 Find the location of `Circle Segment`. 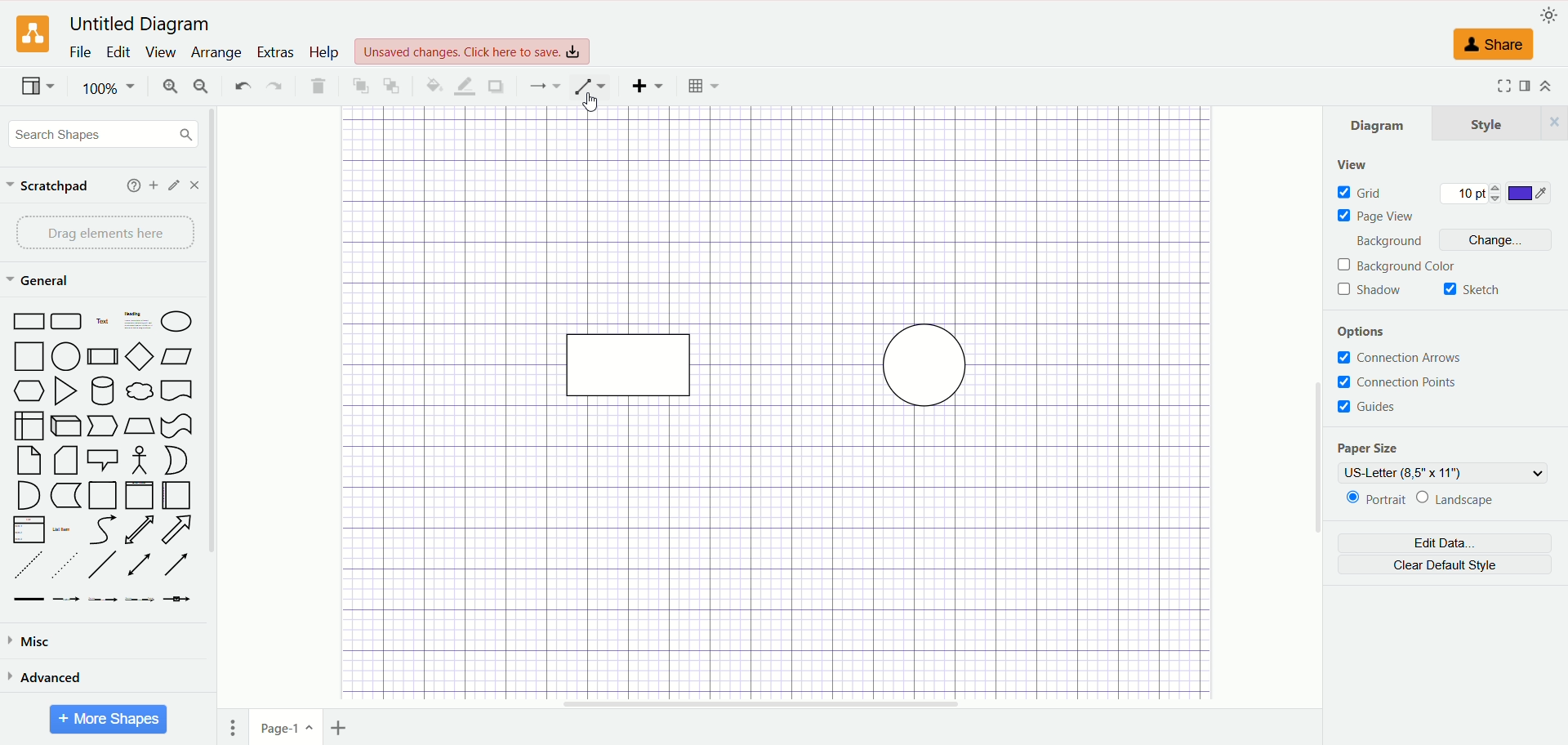

Circle Segment is located at coordinates (176, 461).